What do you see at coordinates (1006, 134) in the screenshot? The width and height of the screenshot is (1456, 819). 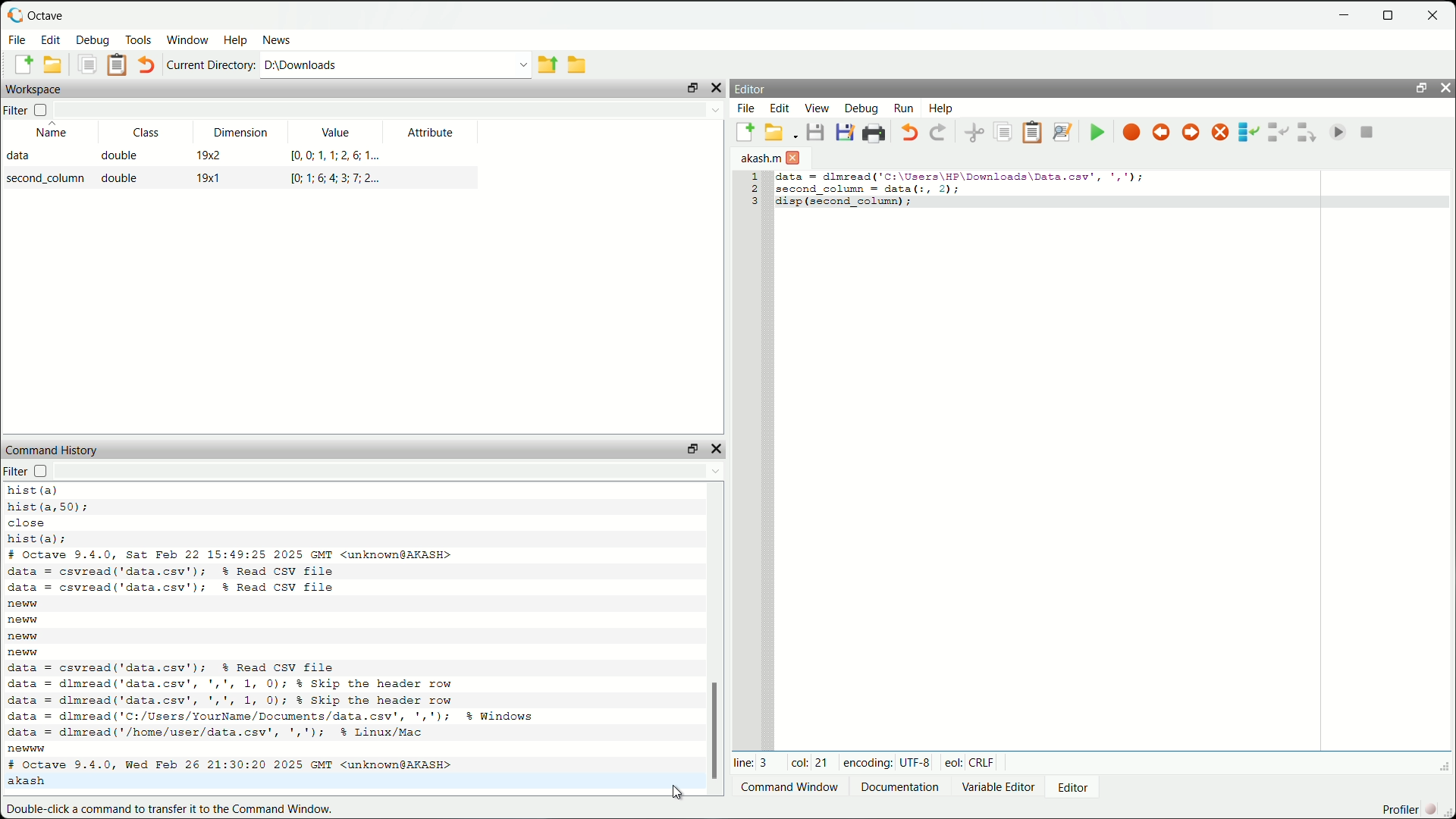 I see `copy` at bounding box center [1006, 134].